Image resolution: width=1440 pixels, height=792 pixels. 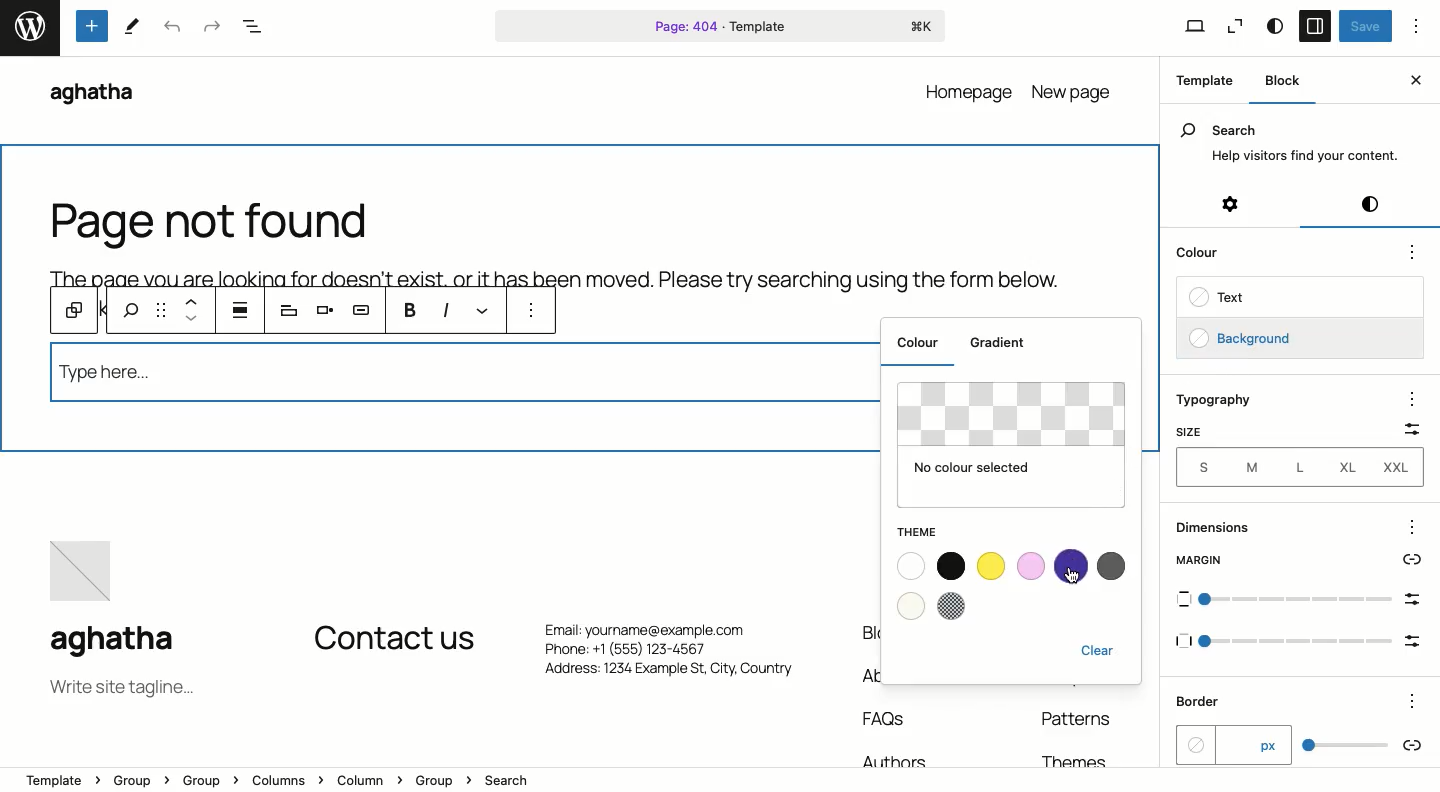 I want to click on Colour, so click(x=918, y=345).